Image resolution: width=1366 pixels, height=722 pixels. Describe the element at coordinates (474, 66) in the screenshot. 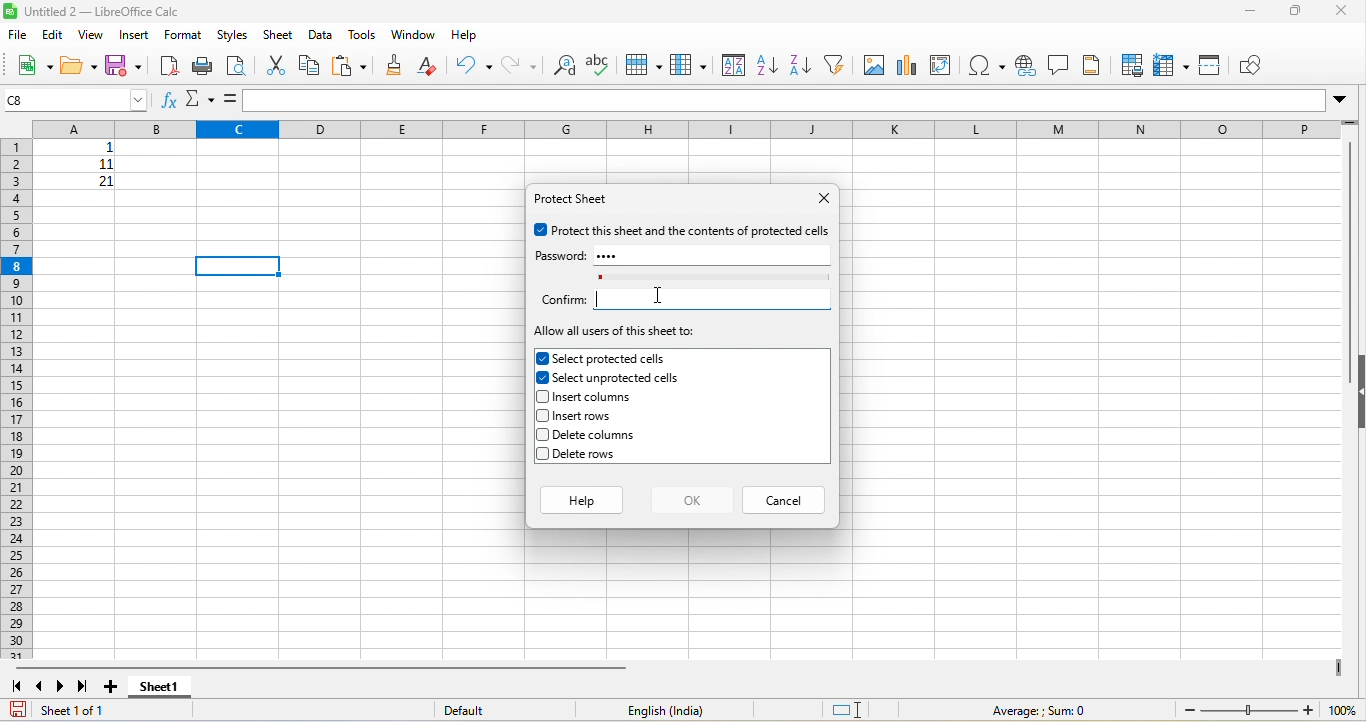

I see `undo` at that location.